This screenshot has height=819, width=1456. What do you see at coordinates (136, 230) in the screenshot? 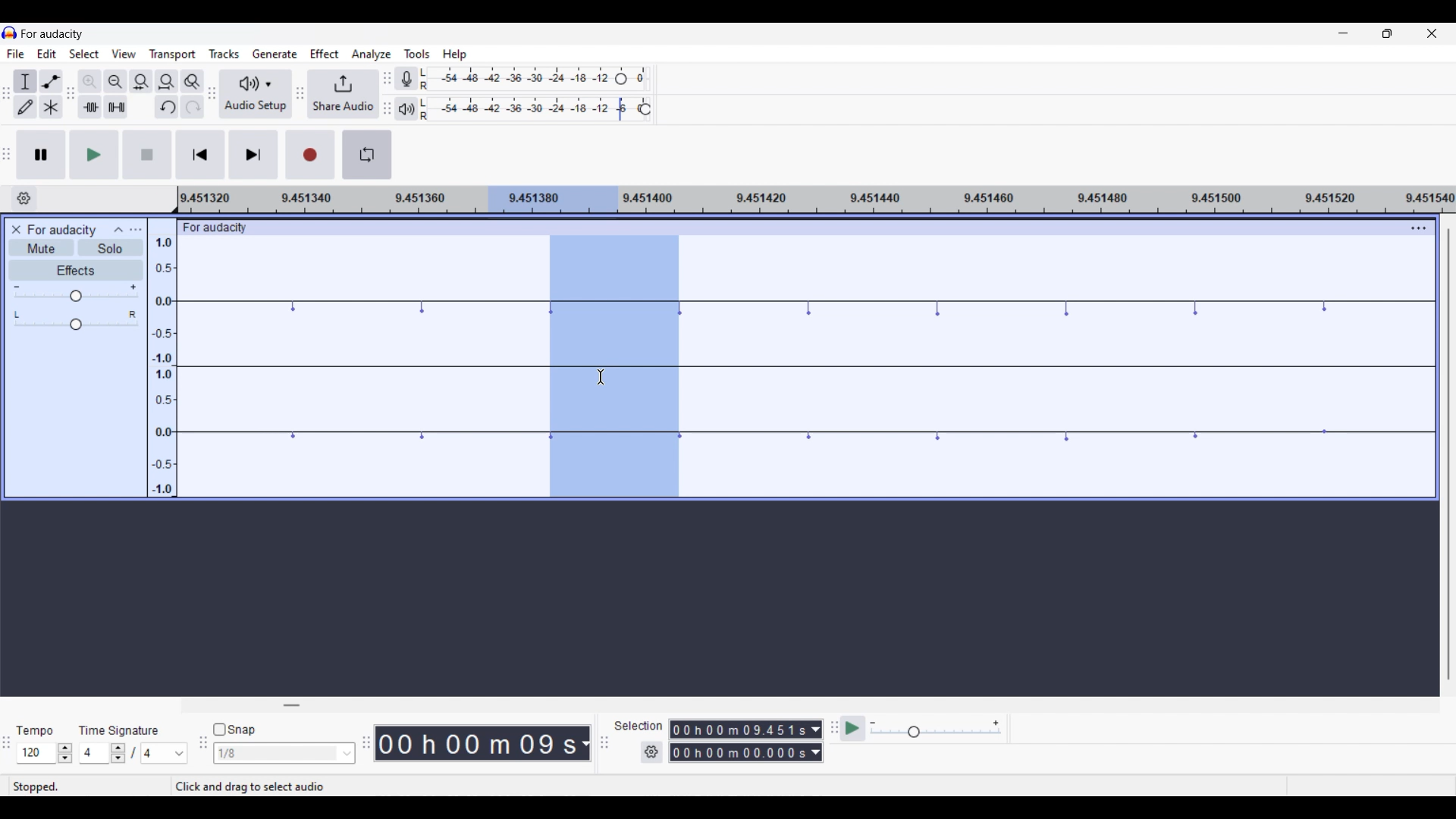
I see `Open menu` at bounding box center [136, 230].